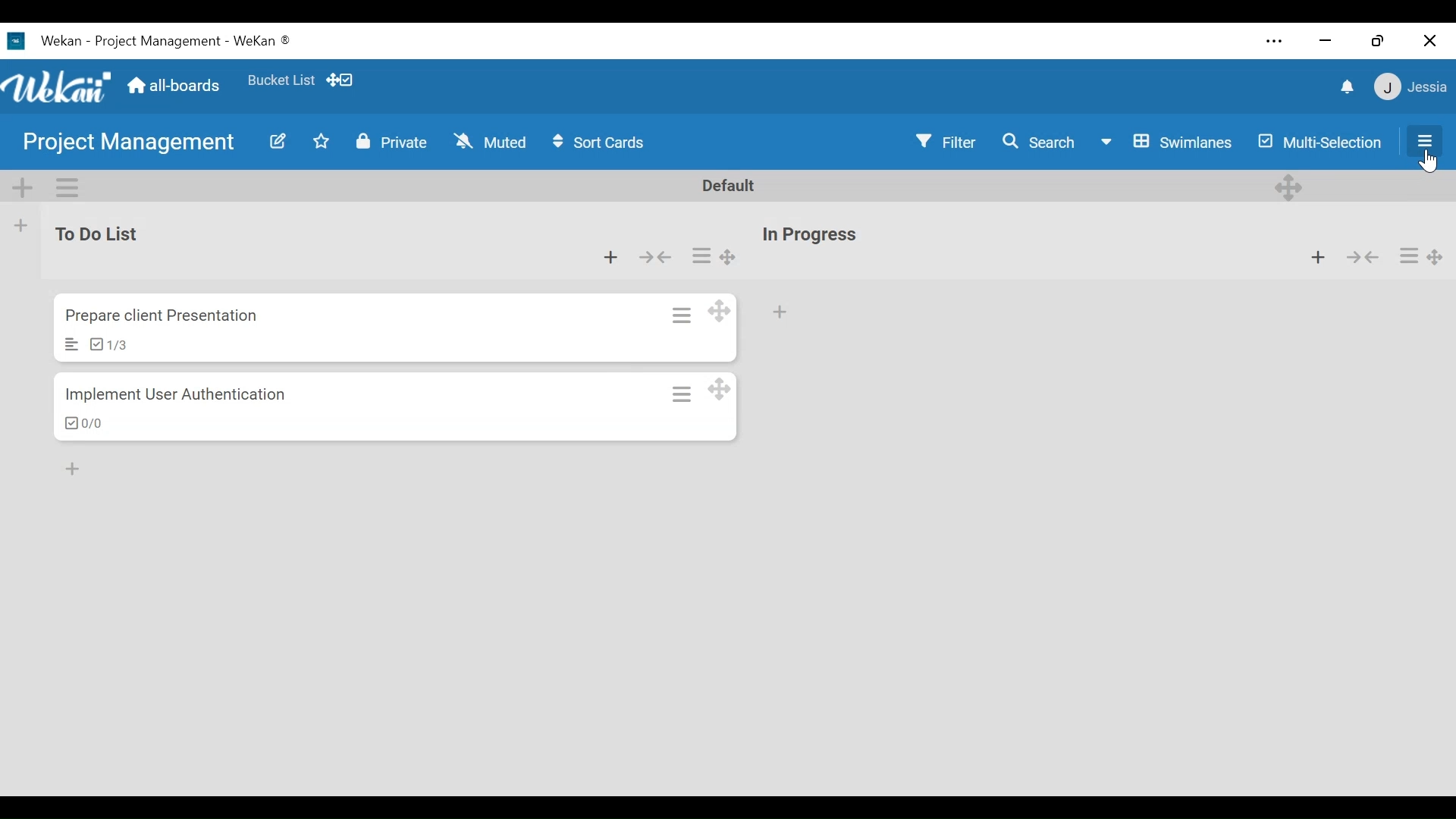  I want to click on Add card to bottom of the list, so click(779, 315).